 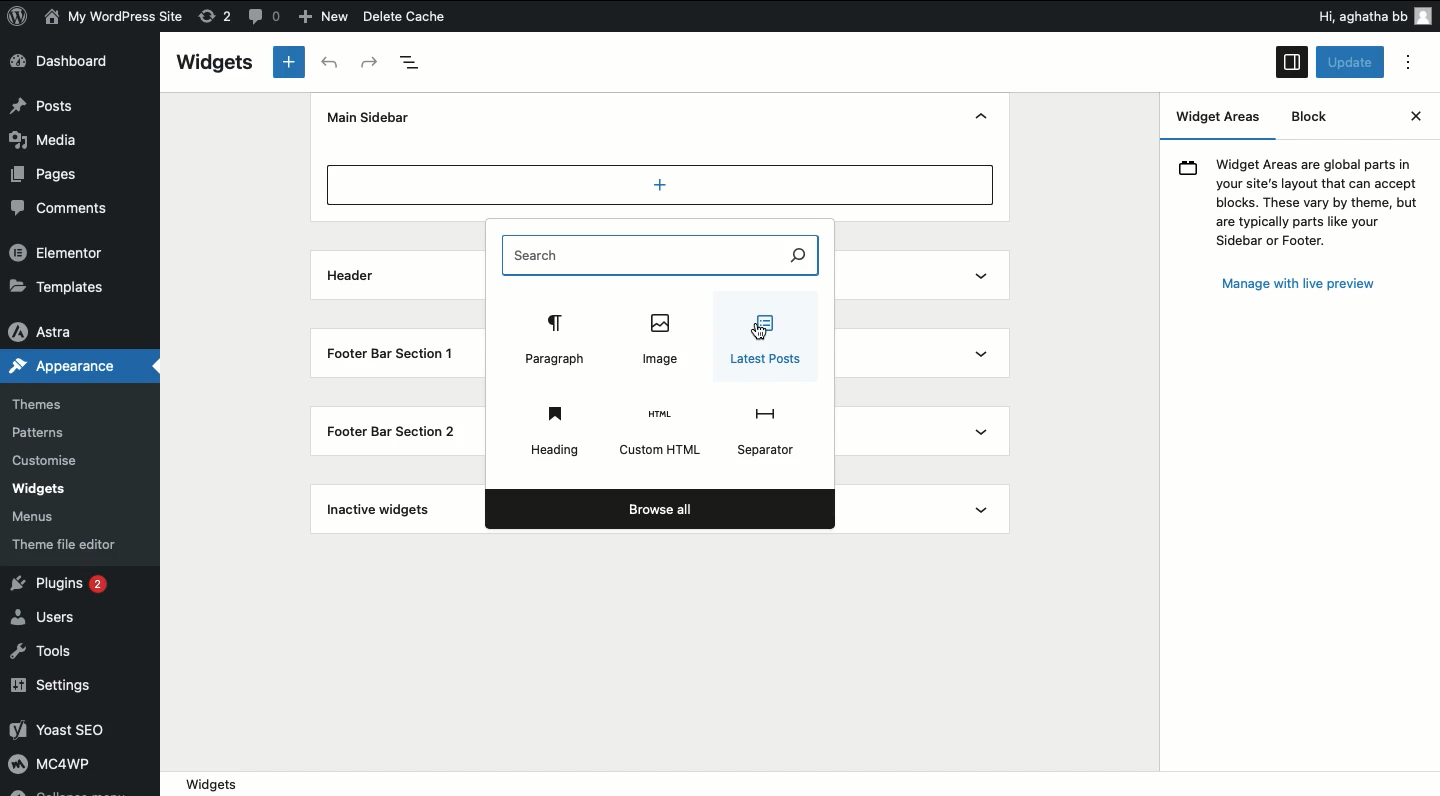 I want to click on Undo, so click(x=332, y=63).